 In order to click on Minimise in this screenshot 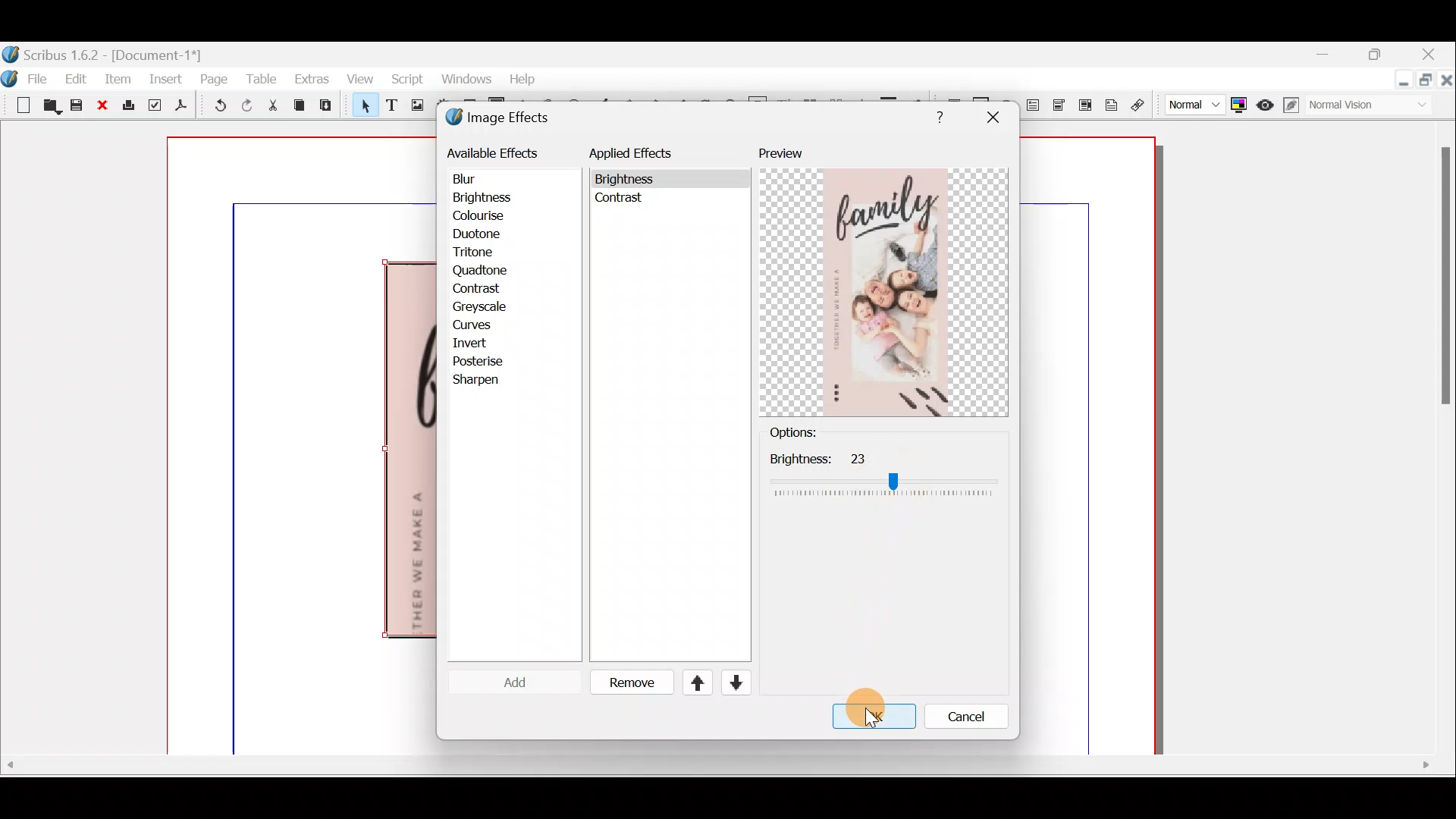, I will do `click(1328, 55)`.